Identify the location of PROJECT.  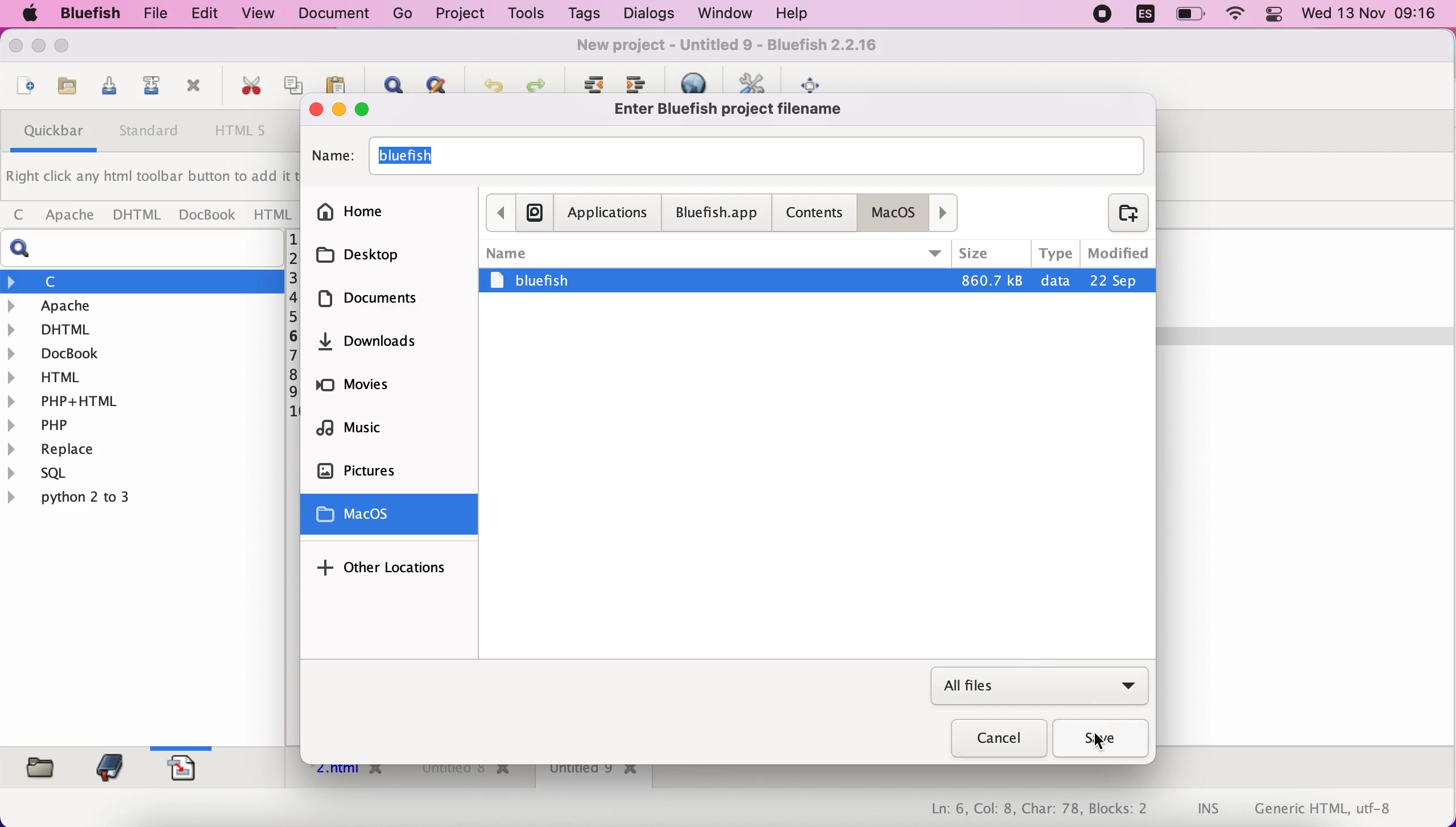
(459, 14).